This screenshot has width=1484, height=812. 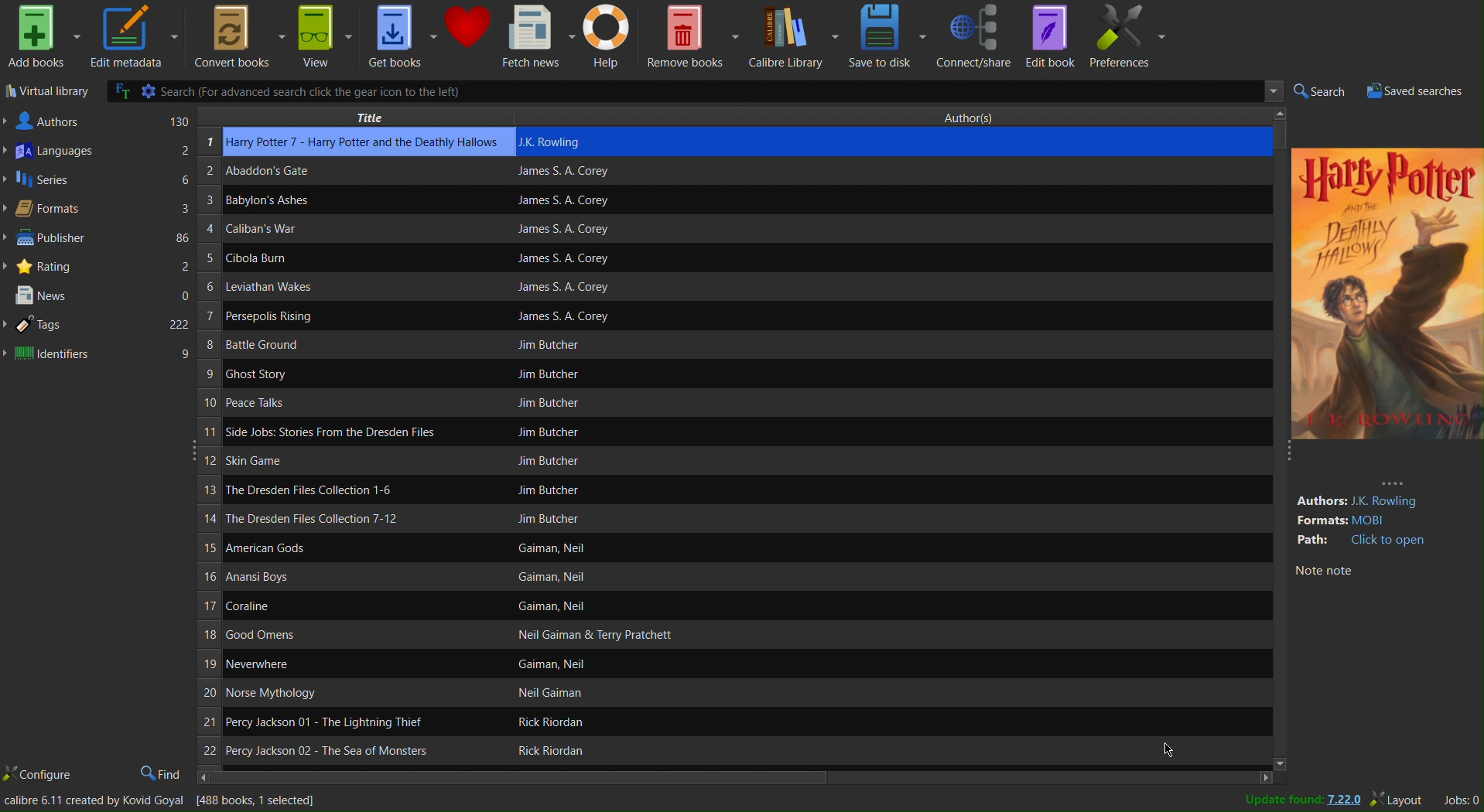 What do you see at coordinates (343, 432) in the screenshot?
I see `Book name` at bounding box center [343, 432].